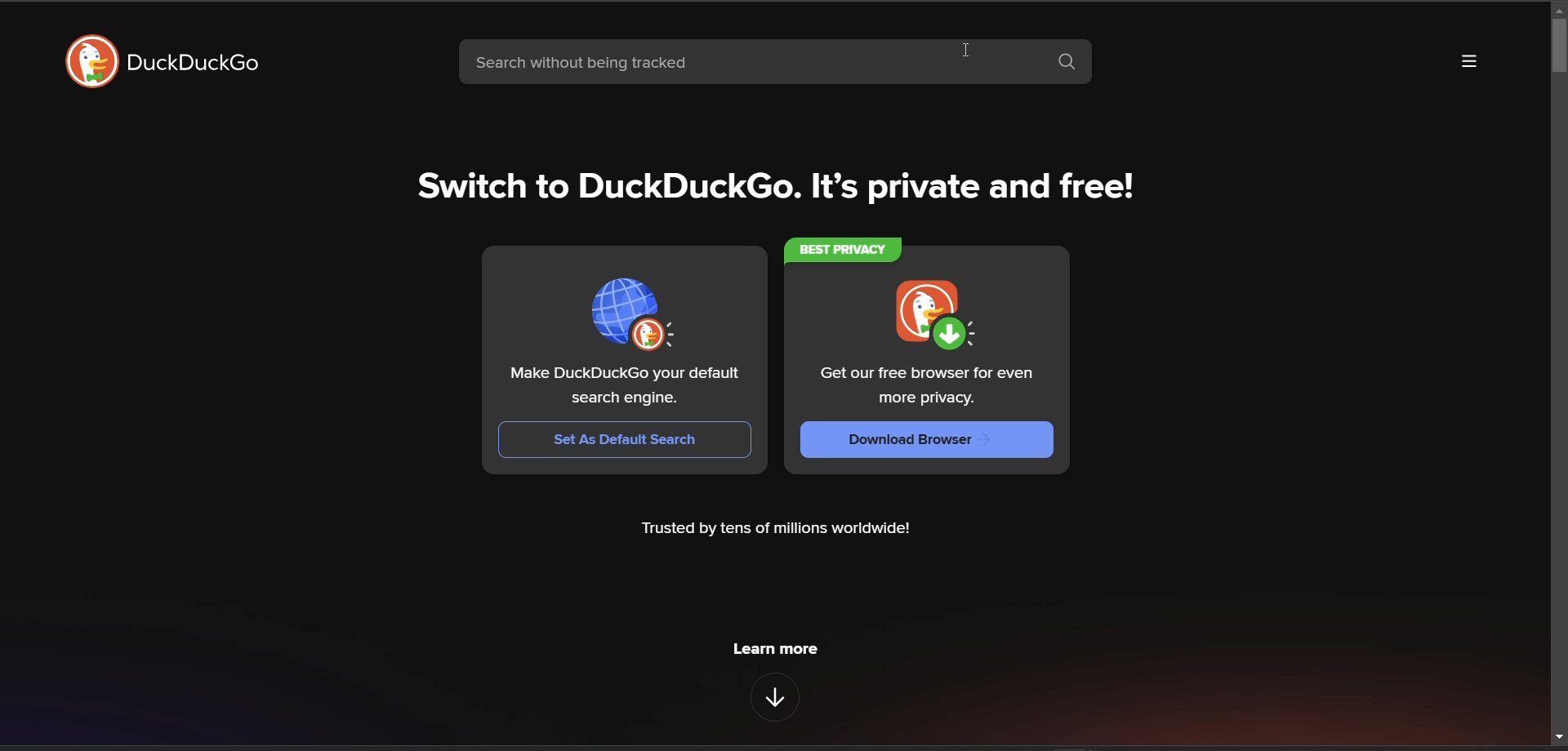 The height and width of the screenshot is (751, 1568). What do you see at coordinates (936, 315) in the screenshot?
I see `Indicates download browser` at bounding box center [936, 315].